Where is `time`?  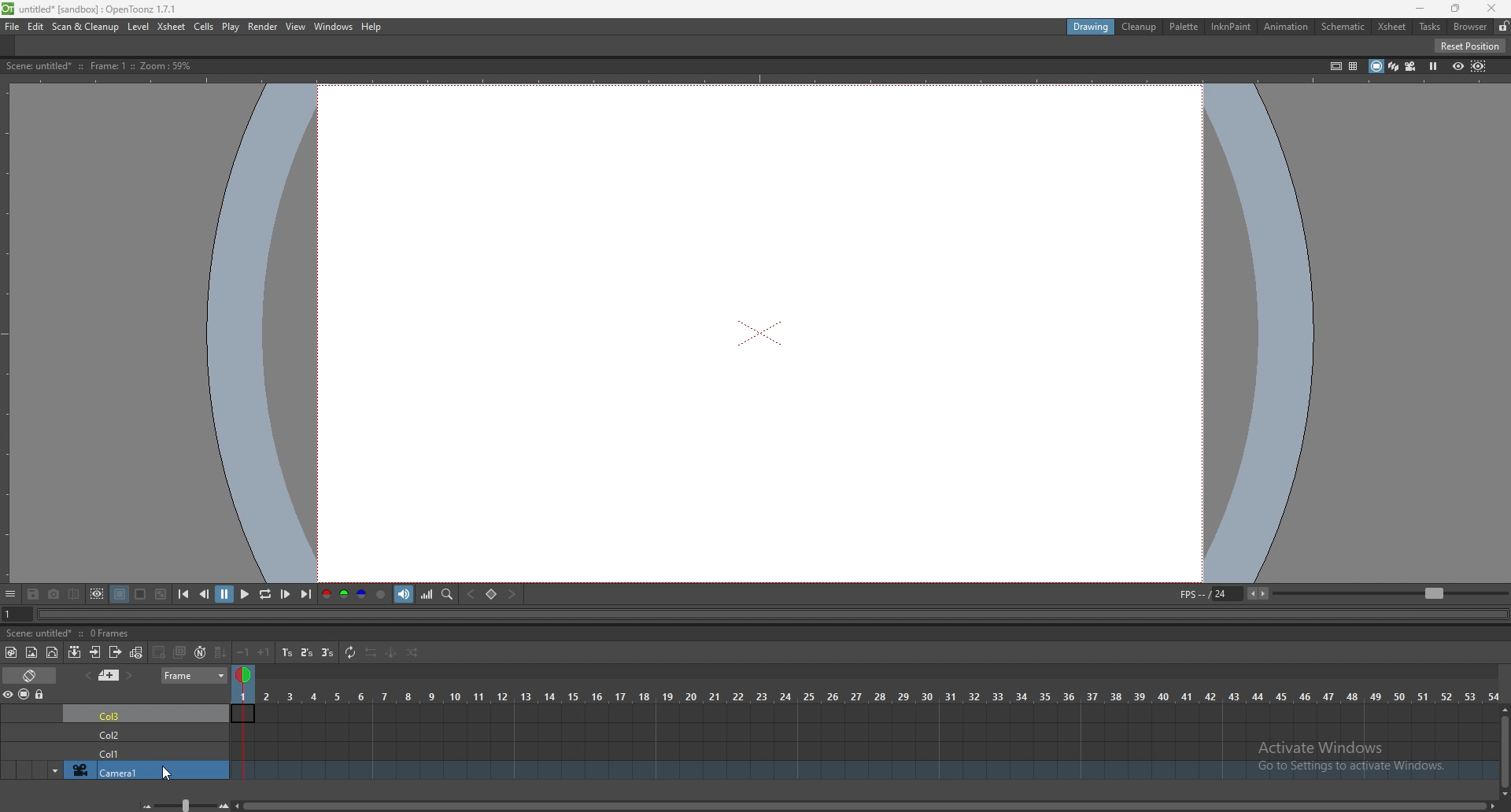
time is located at coordinates (866, 695).